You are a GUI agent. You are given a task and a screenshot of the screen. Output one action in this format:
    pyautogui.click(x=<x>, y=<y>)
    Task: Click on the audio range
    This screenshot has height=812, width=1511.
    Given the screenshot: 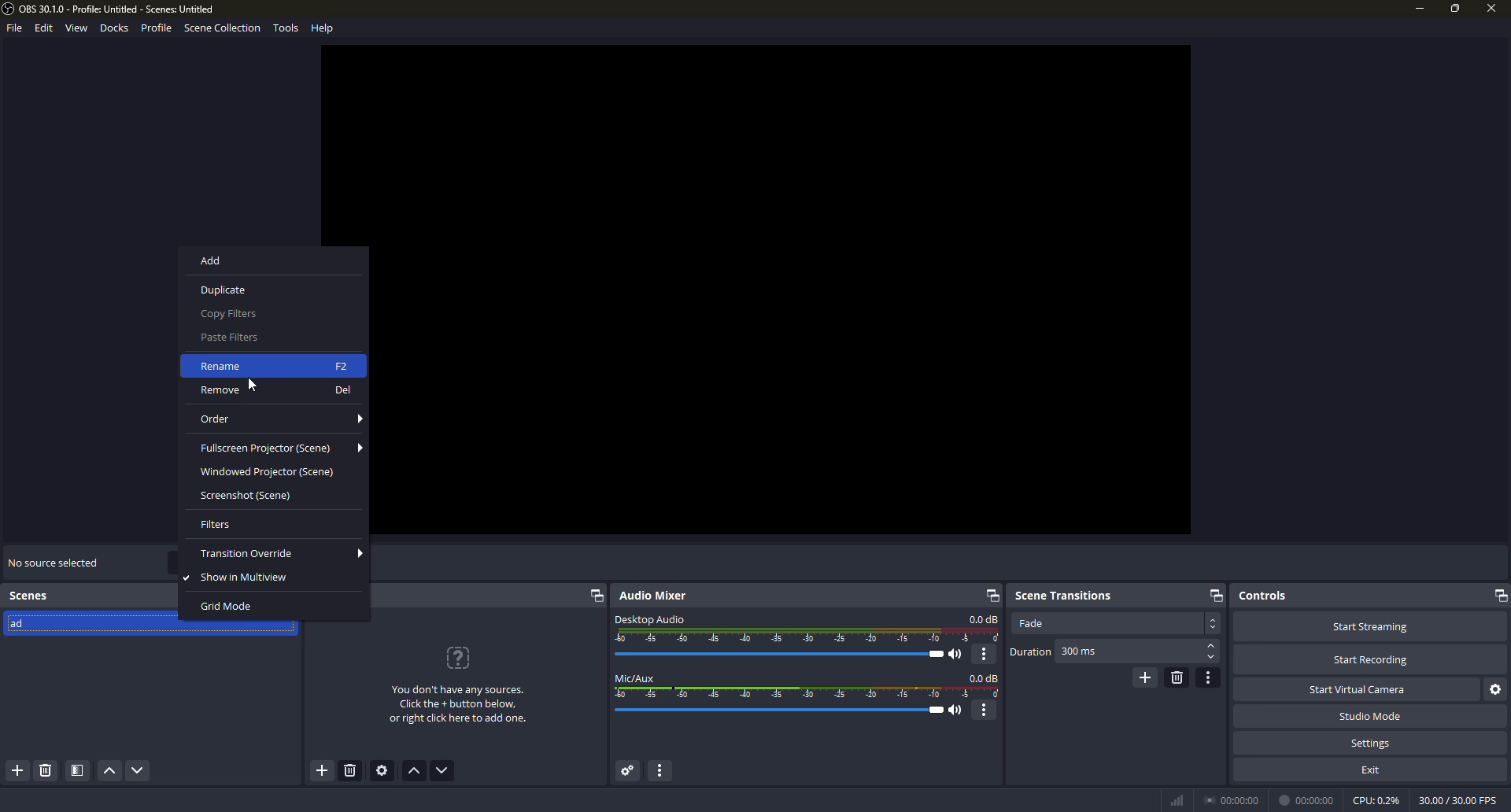 What is the action you would take?
    pyautogui.click(x=808, y=636)
    